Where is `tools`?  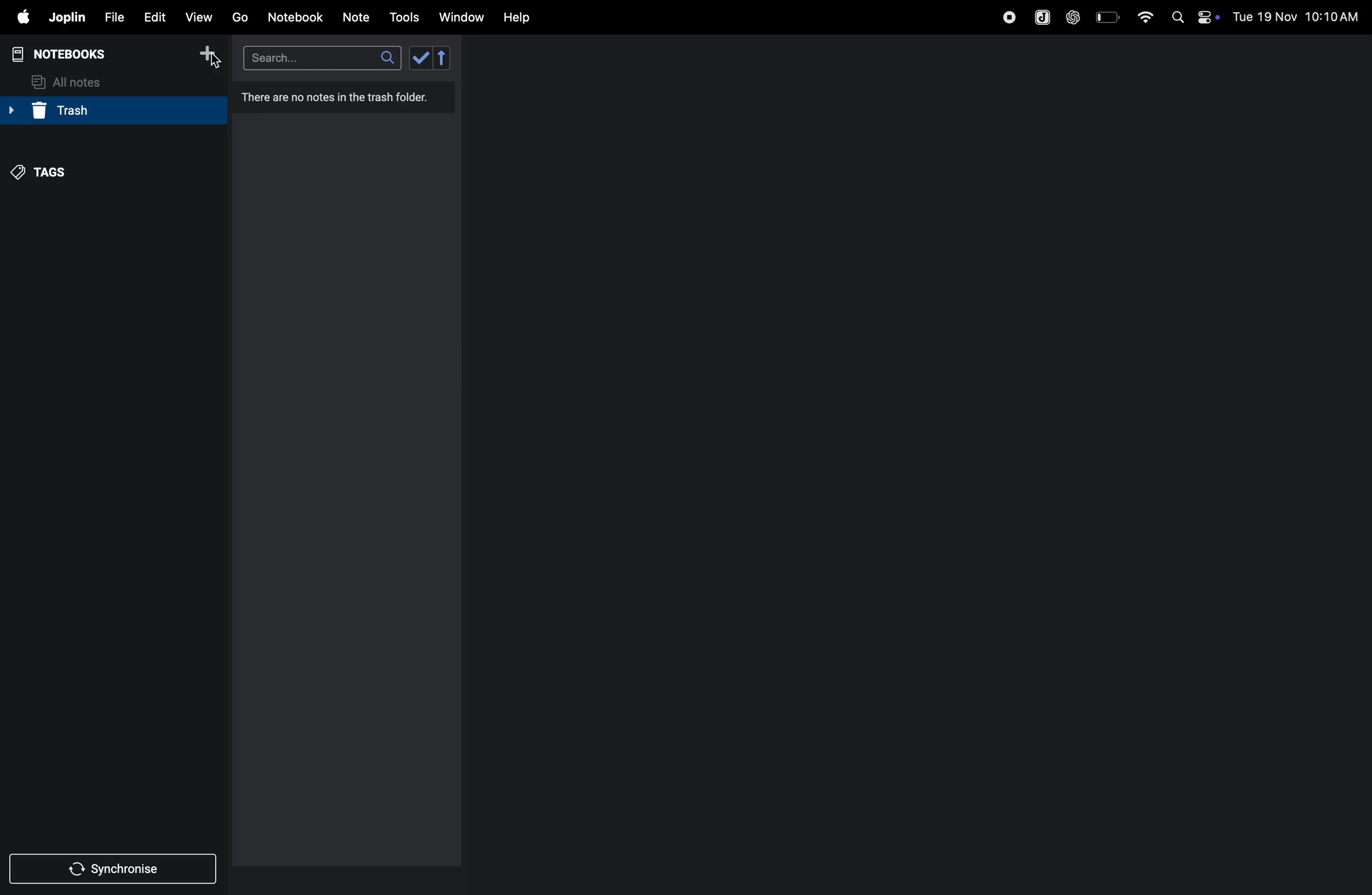 tools is located at coordinates (406, 17).